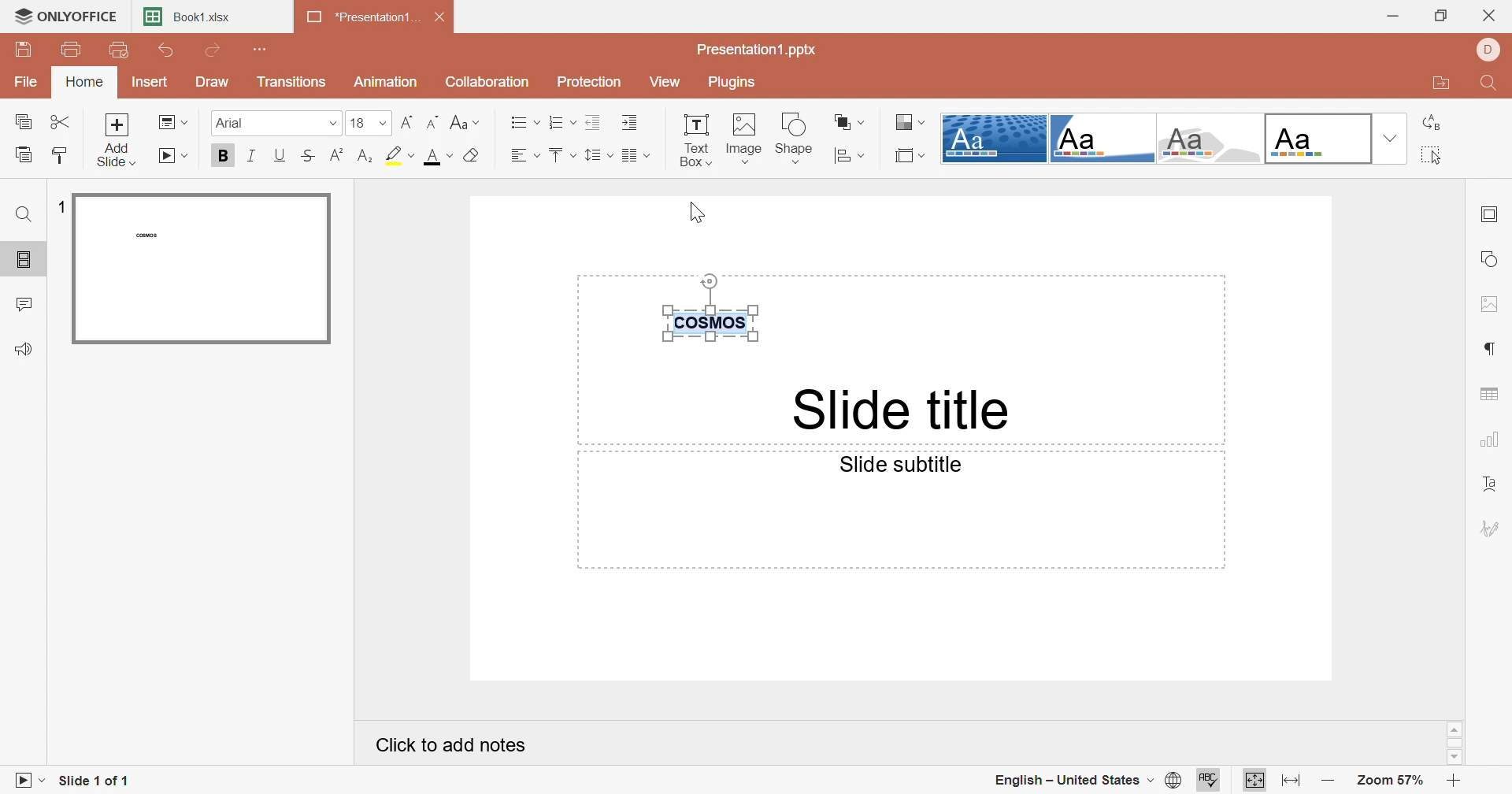  Describe the element at coordinates (183, 15) in the screenshot. I see `Book1.xlsx` at that location.